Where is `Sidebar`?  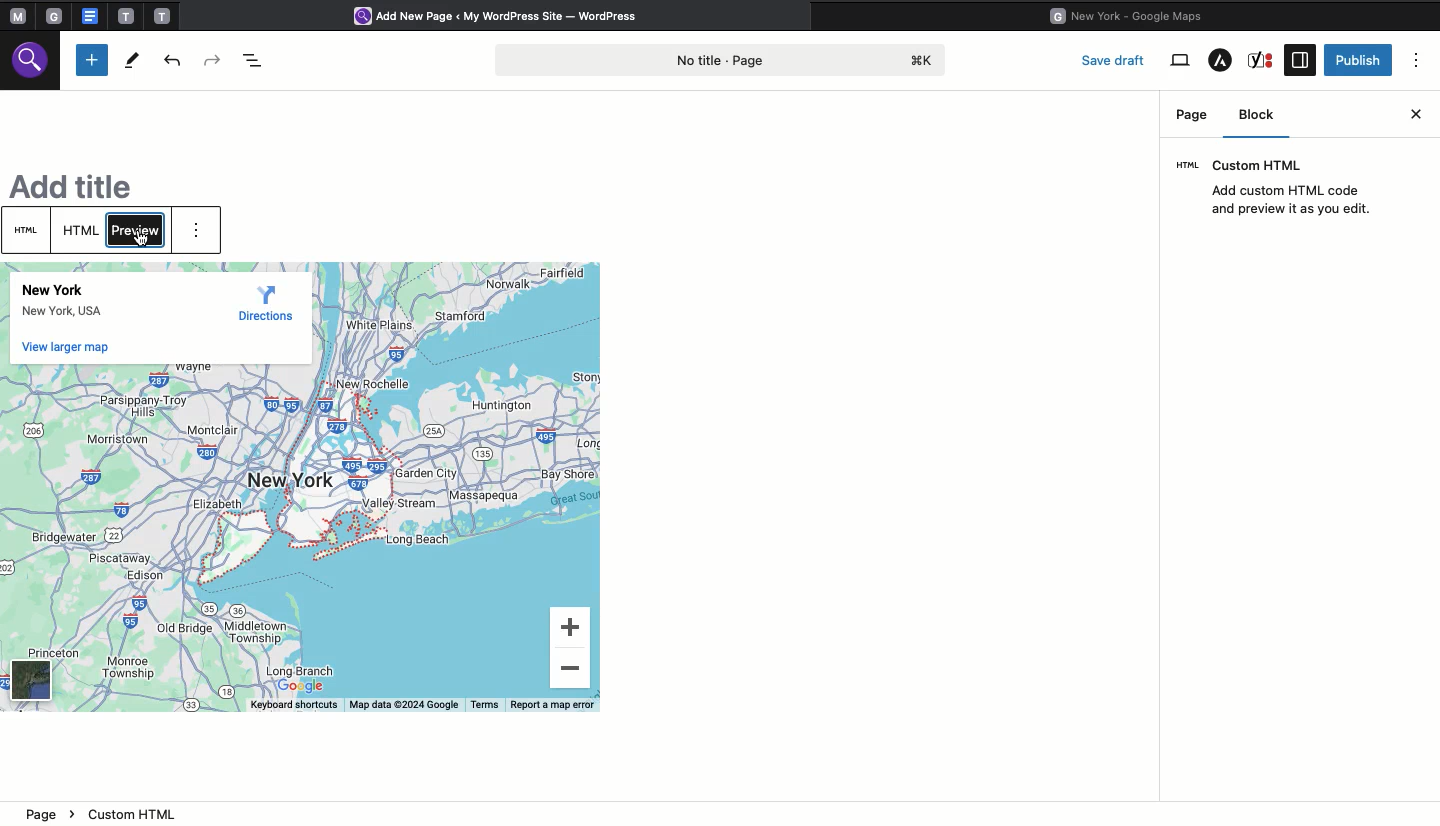 Sidebar is located at coordinates (1299, 60).